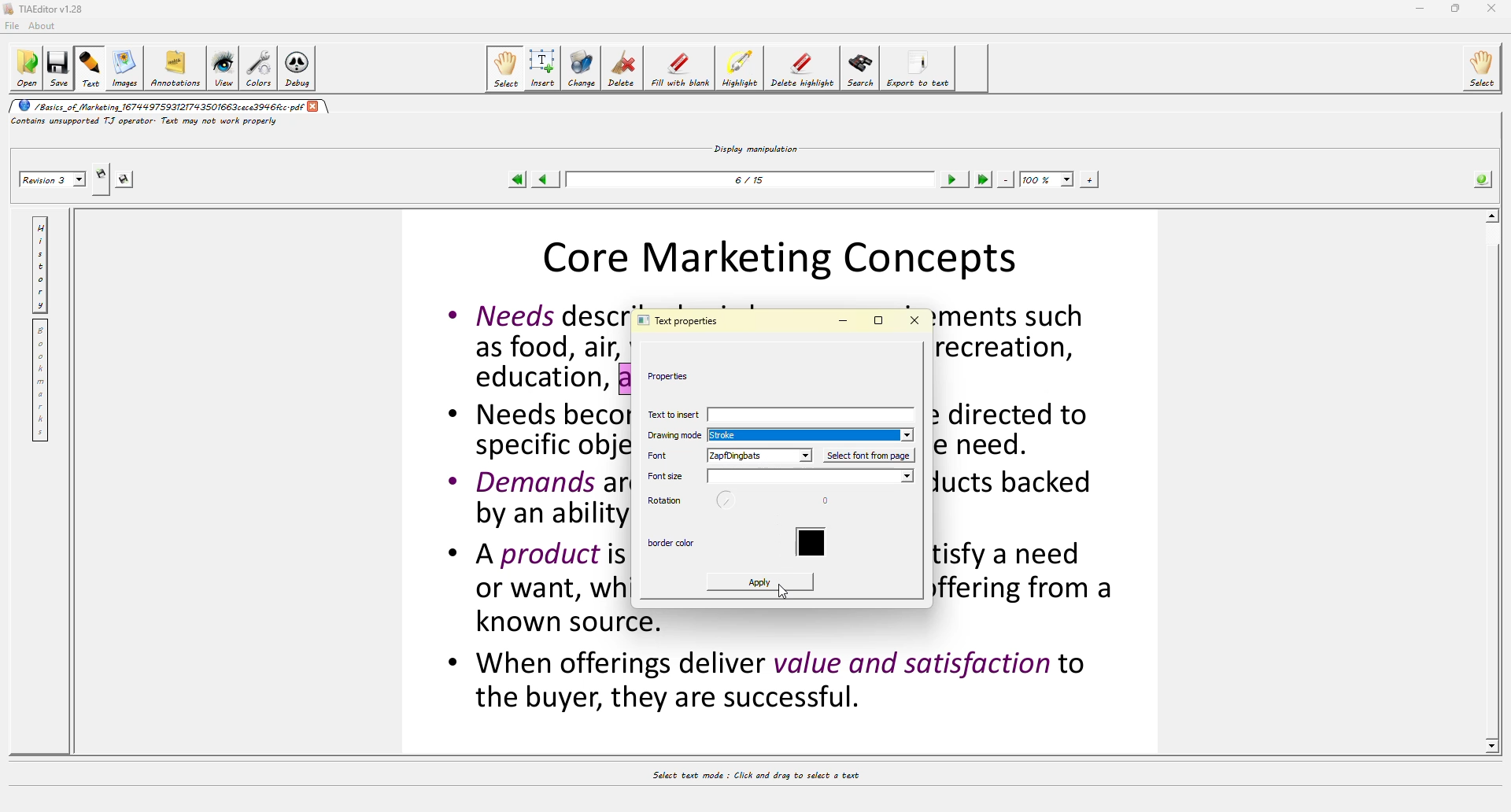 The image size is (1511, 812). I want to click on change, so click(581, 68).